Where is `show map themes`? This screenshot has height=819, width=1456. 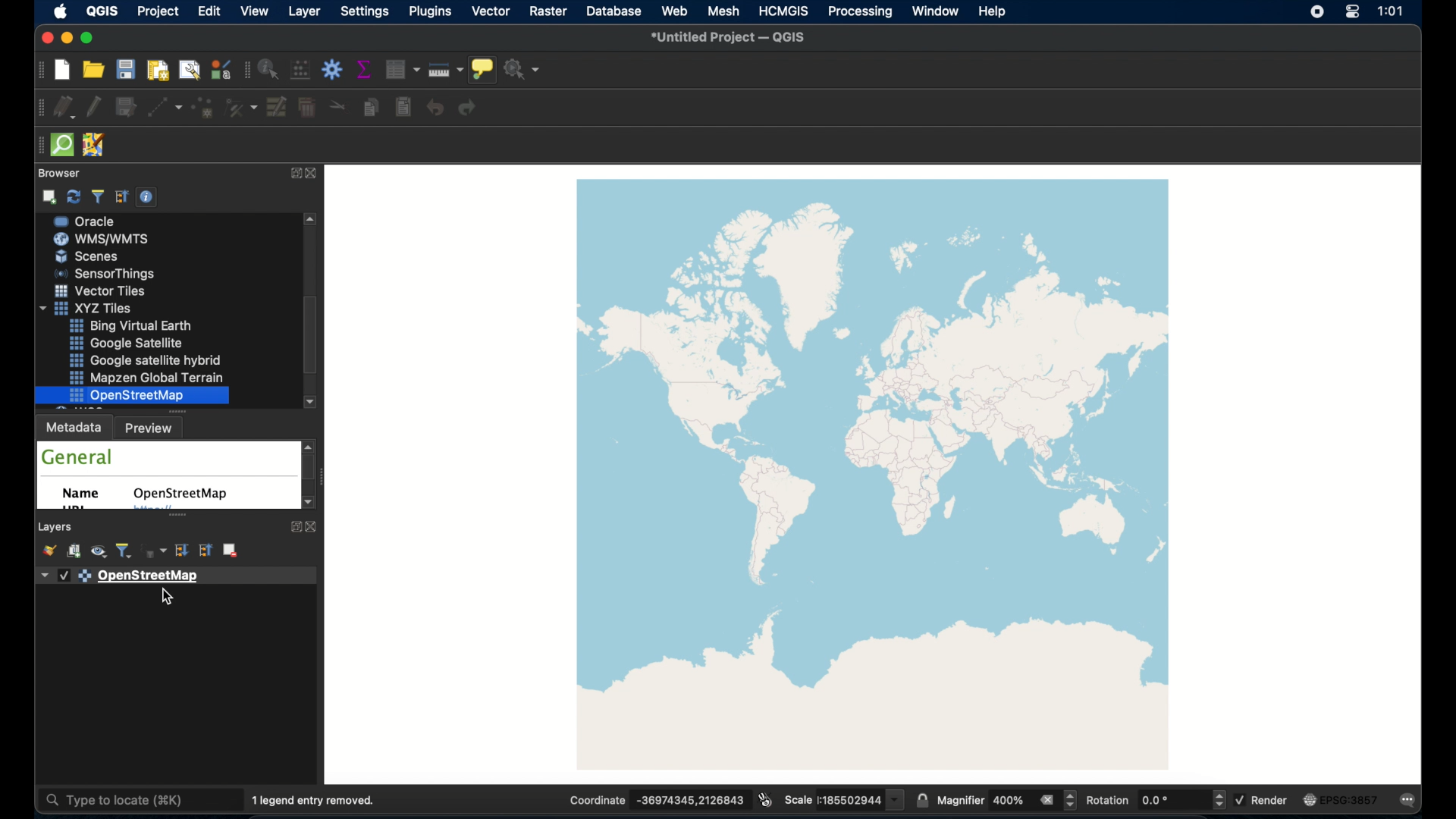
show map themes is located at coordinates (97, 552).